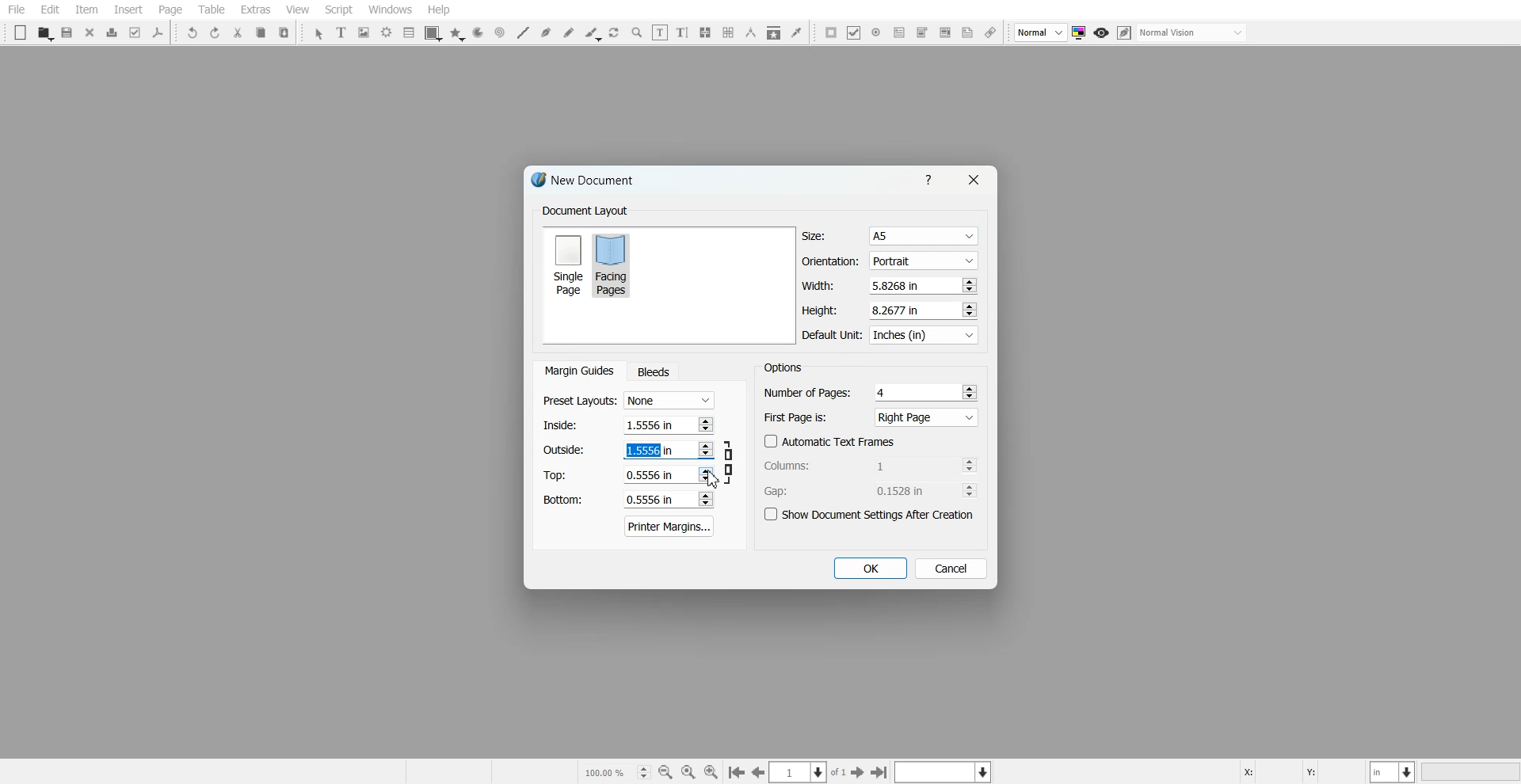 This screenshot has height=784, width=1521. Describe the element at coordinates (921, 32) in the screenshot. I see `PDF Combo Box` at that location.